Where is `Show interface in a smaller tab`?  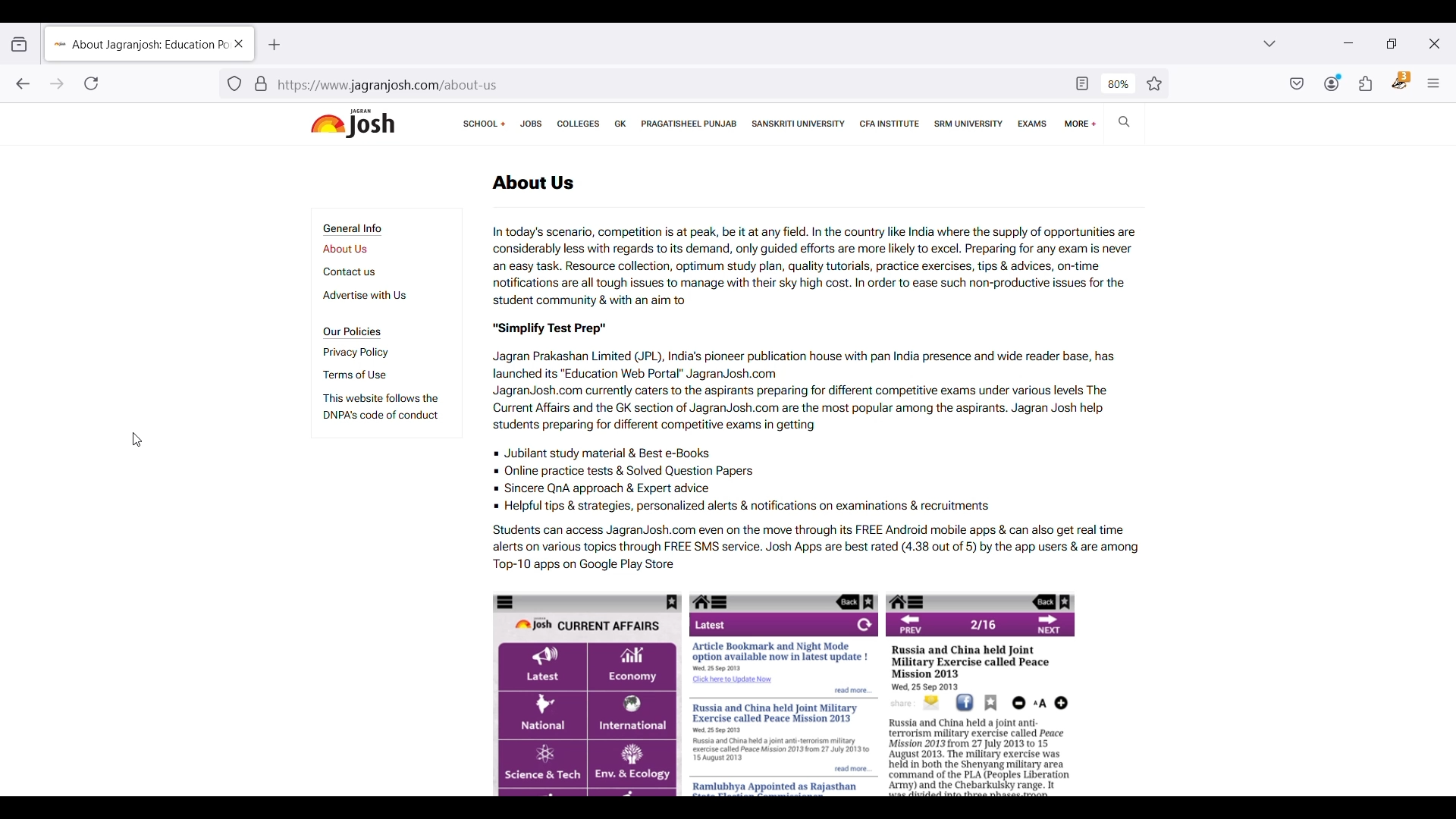
Show interface in a smaller tab is located at coordinates (1392, 44).